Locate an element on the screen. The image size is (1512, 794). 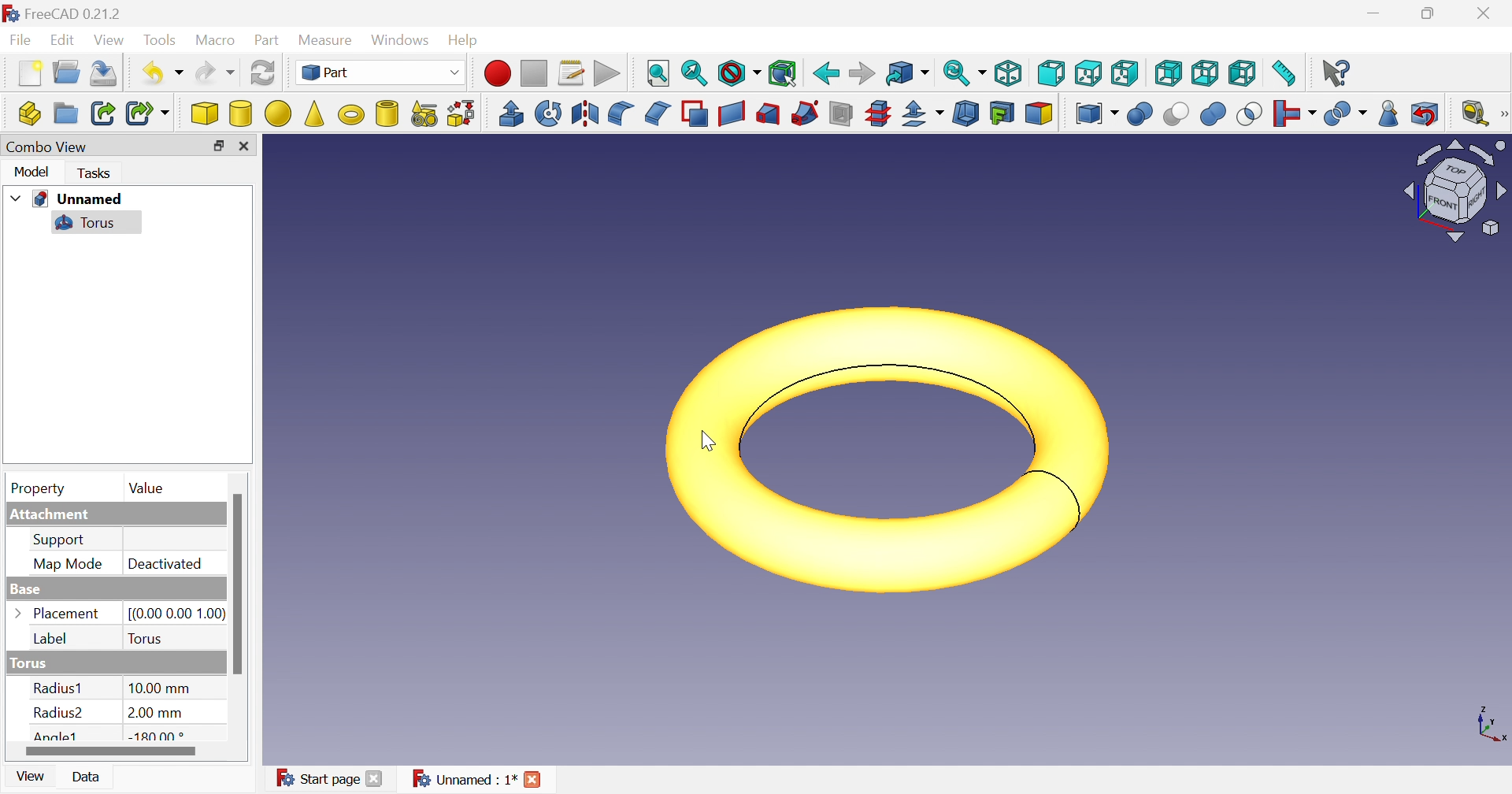
Scroll bar is located at coordinates (237, 583).